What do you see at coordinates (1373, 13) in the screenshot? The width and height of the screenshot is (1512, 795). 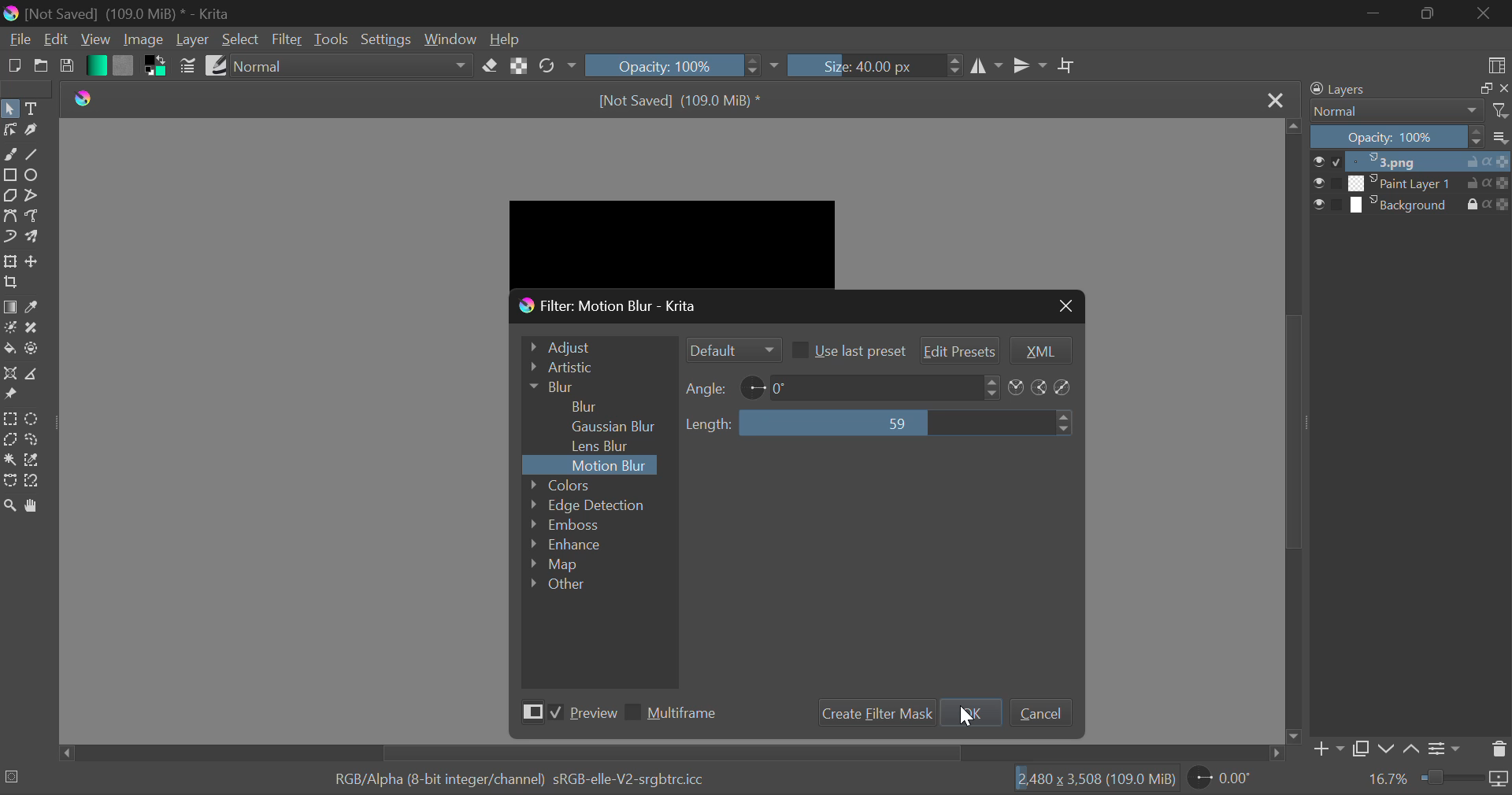 I see `Restore Down` at bounding box center [1373, 13].